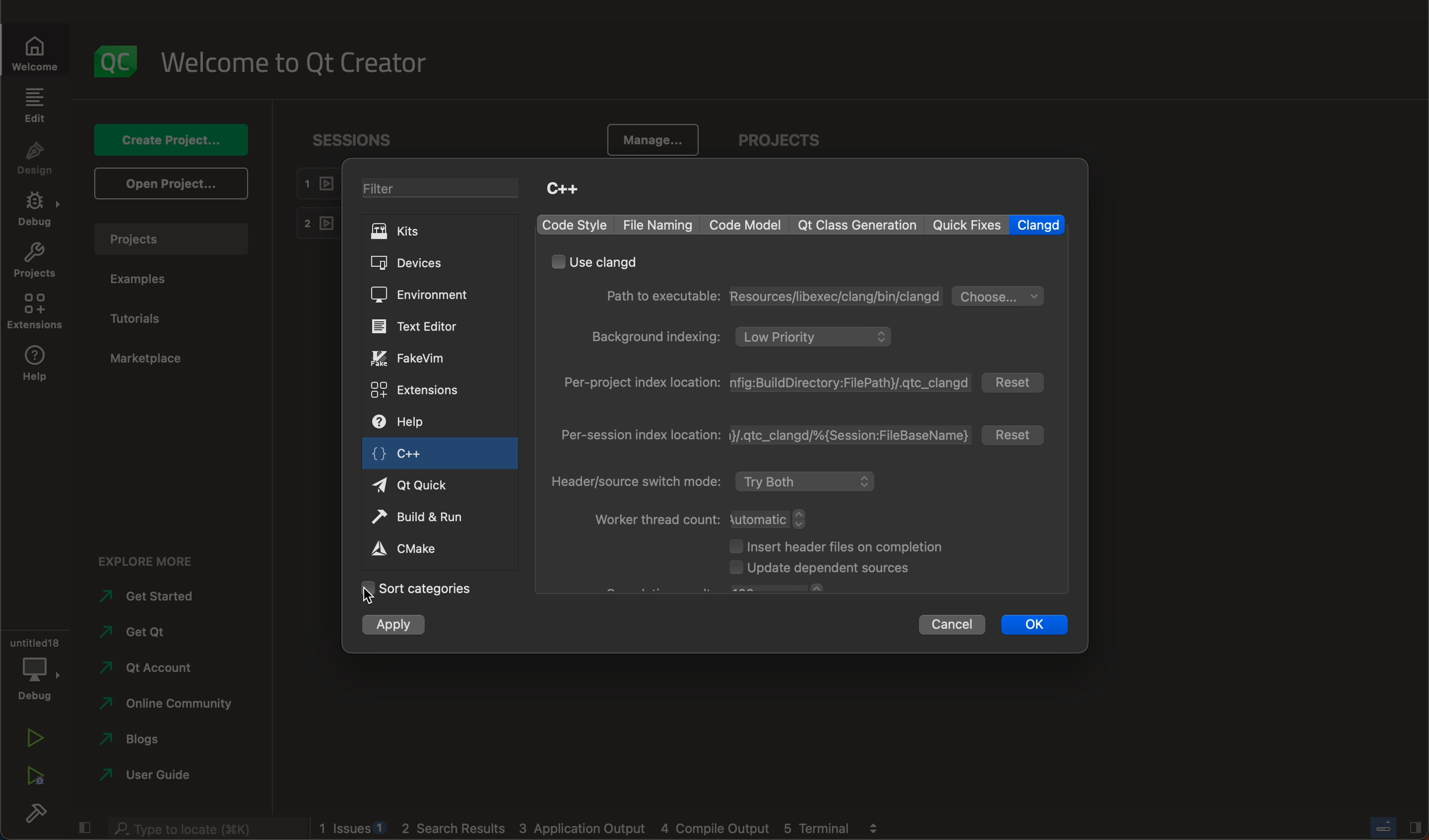 The width and height of the screenshot is (1429, 840). I want to click on kits, so click(417, 232).